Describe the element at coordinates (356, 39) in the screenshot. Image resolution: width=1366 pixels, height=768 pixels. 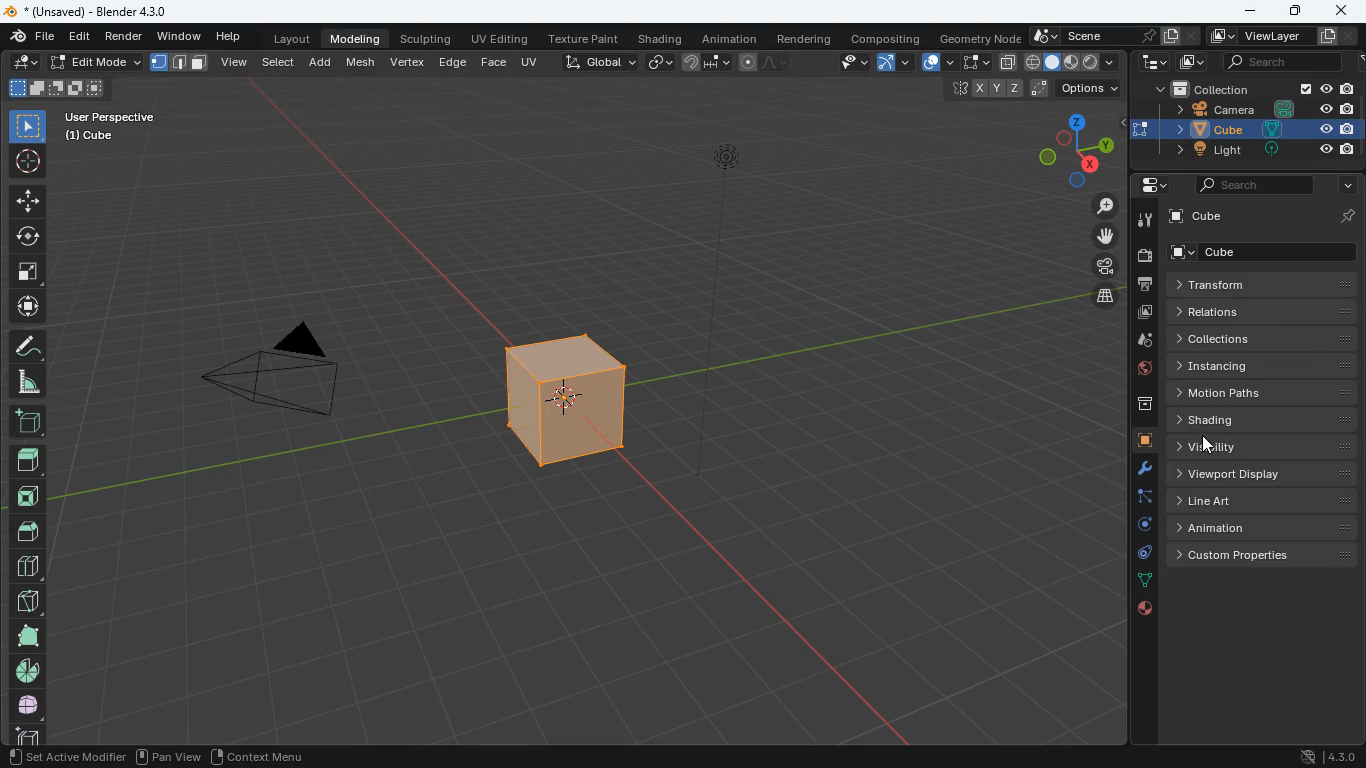
I see `modeling` at that location.